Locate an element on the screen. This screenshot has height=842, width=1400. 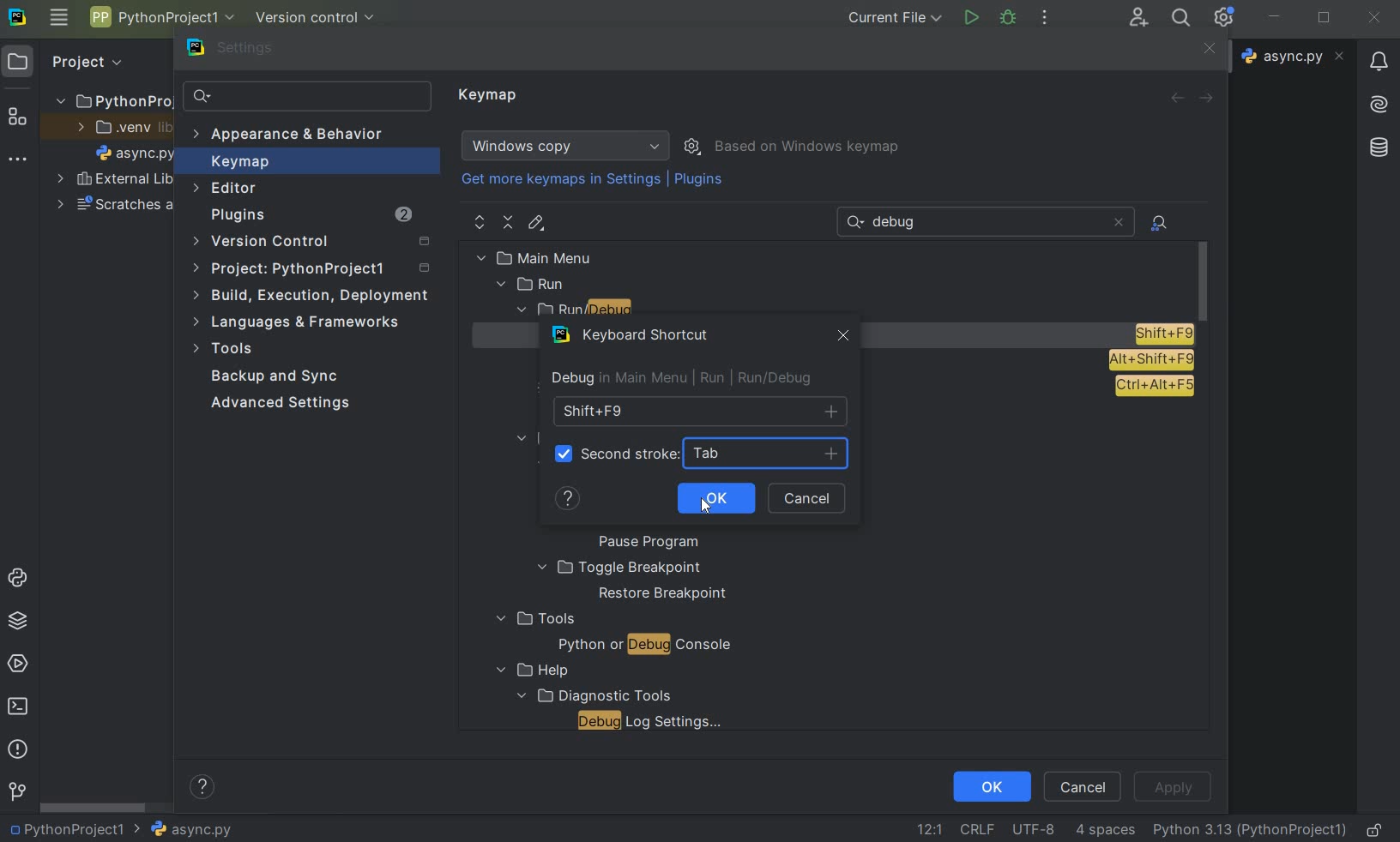
project name is located at coordinates (112, 98).